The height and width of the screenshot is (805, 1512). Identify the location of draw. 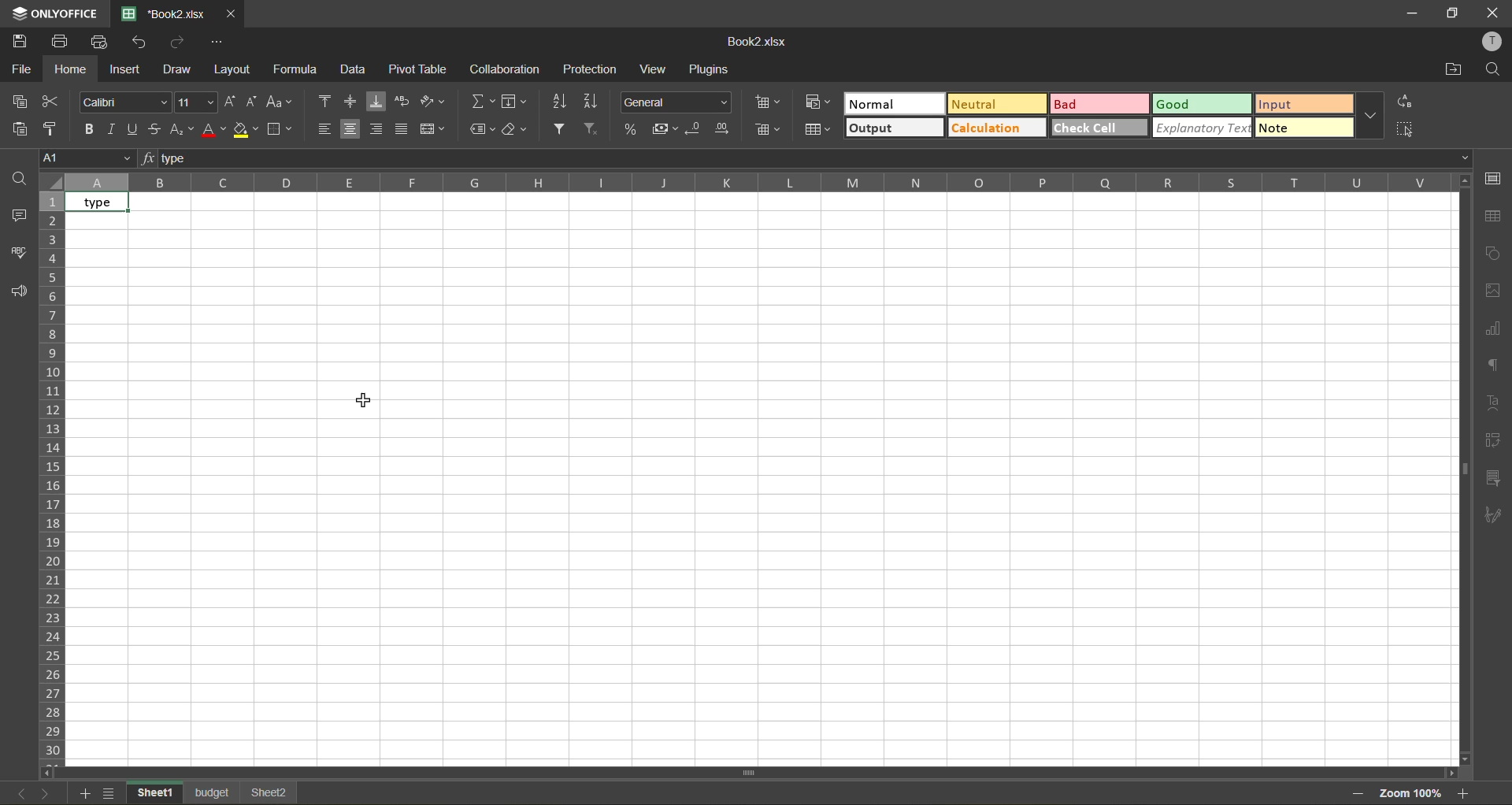
(182, 69).